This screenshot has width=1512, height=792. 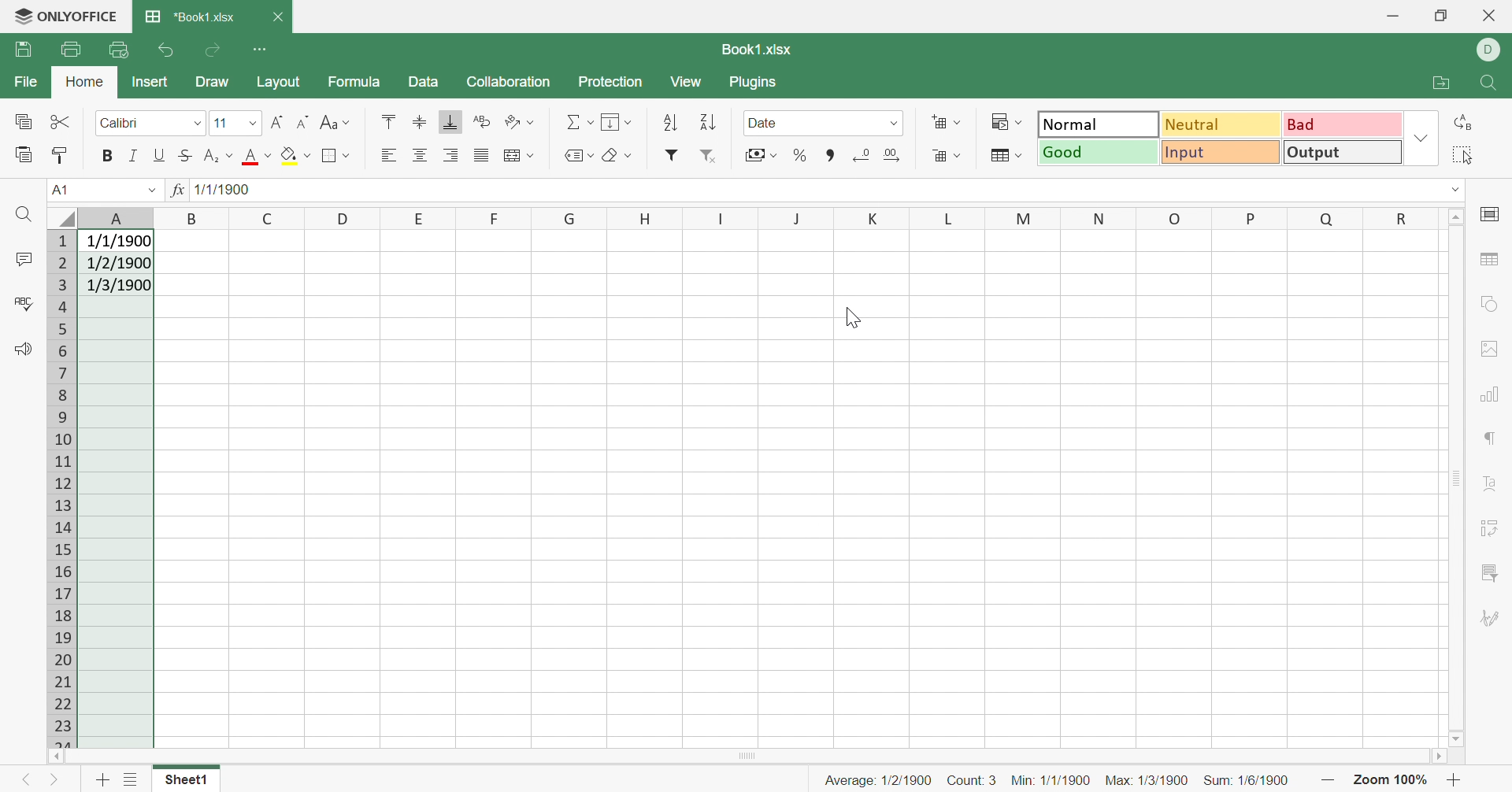 I want to click on Formula, so click(x=354, y=81).